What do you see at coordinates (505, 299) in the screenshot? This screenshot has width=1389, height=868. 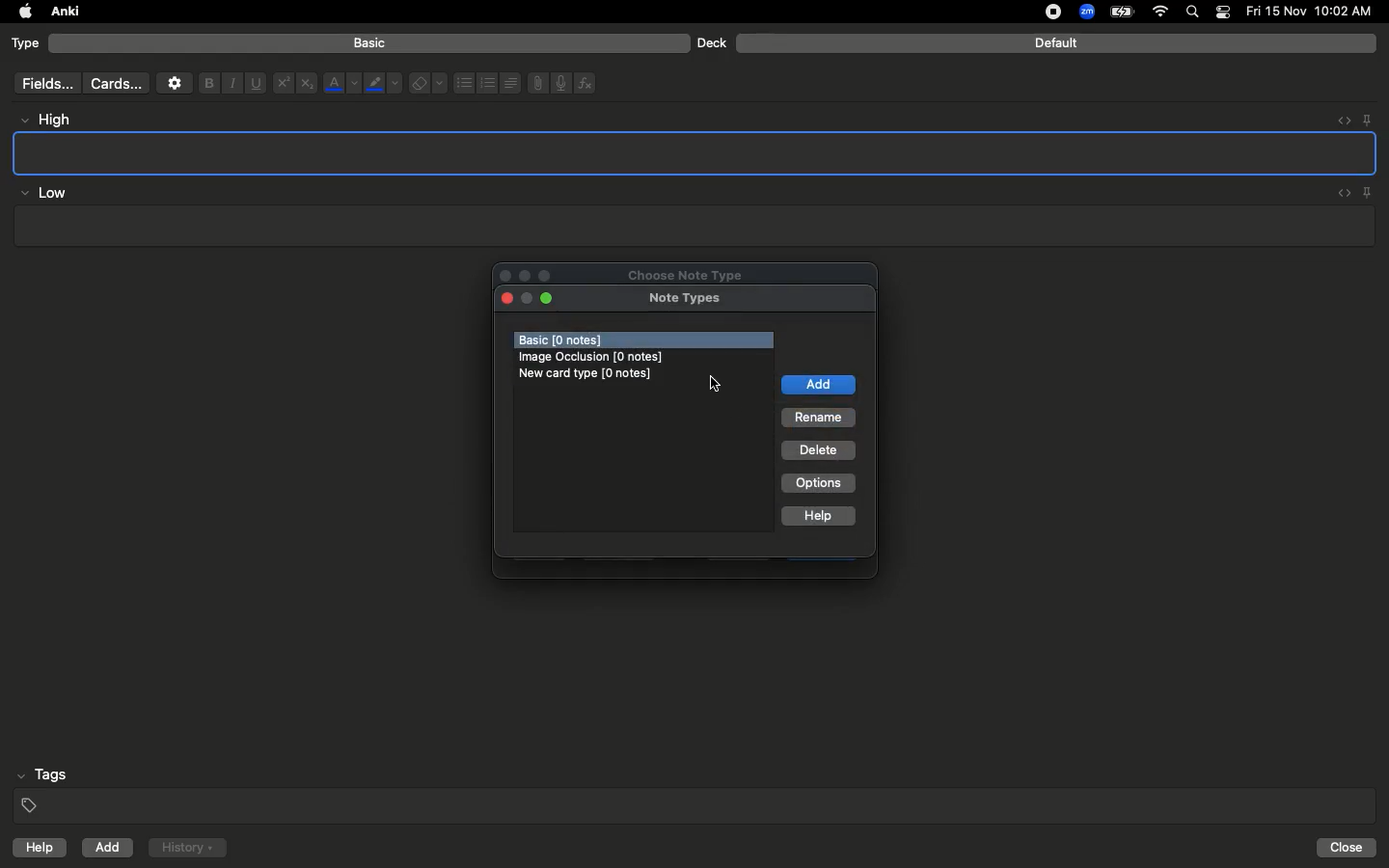 I see `close` at bounding box center [505, 299].